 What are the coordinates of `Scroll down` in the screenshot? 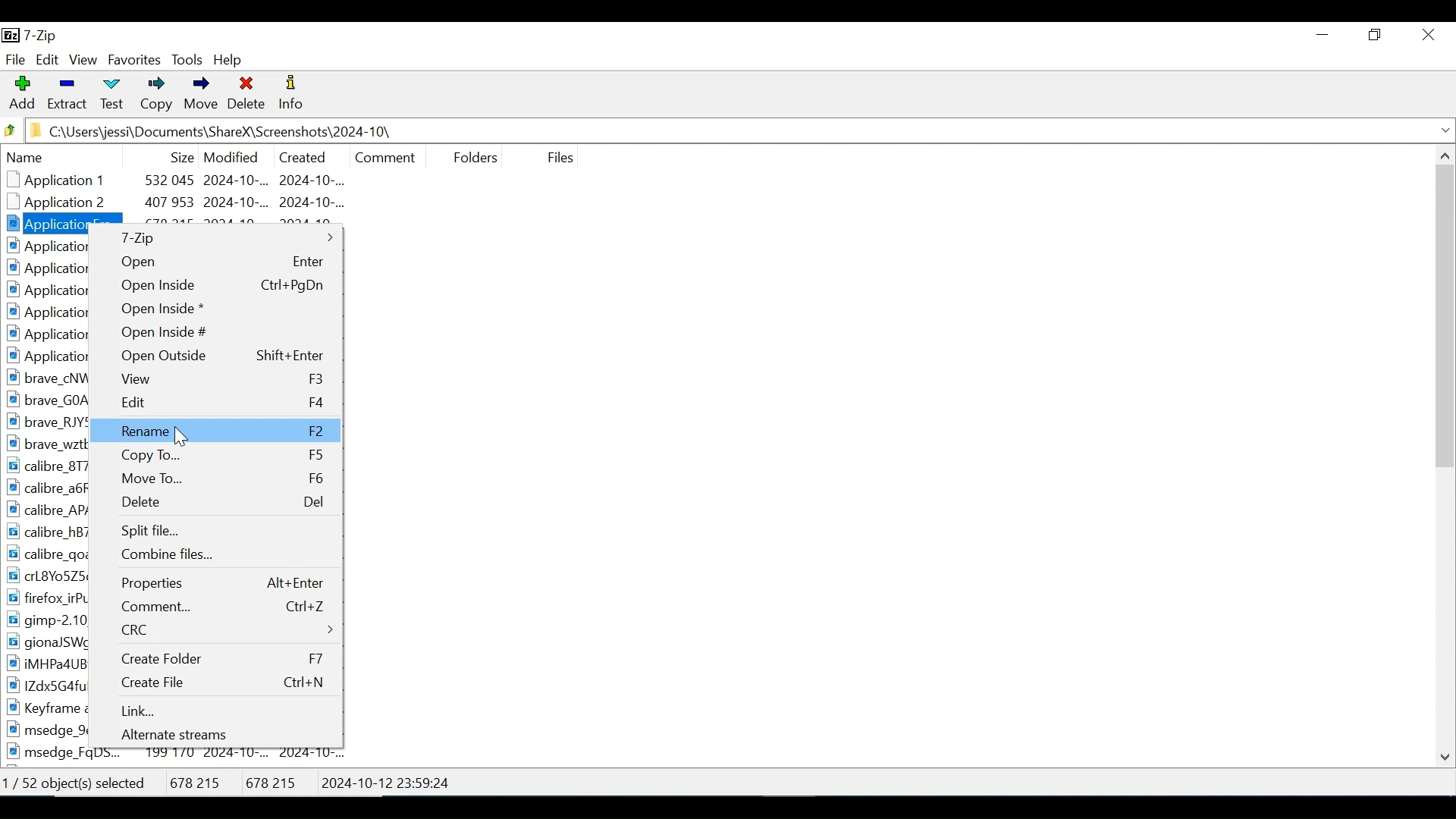 It's located at (1446, 755).